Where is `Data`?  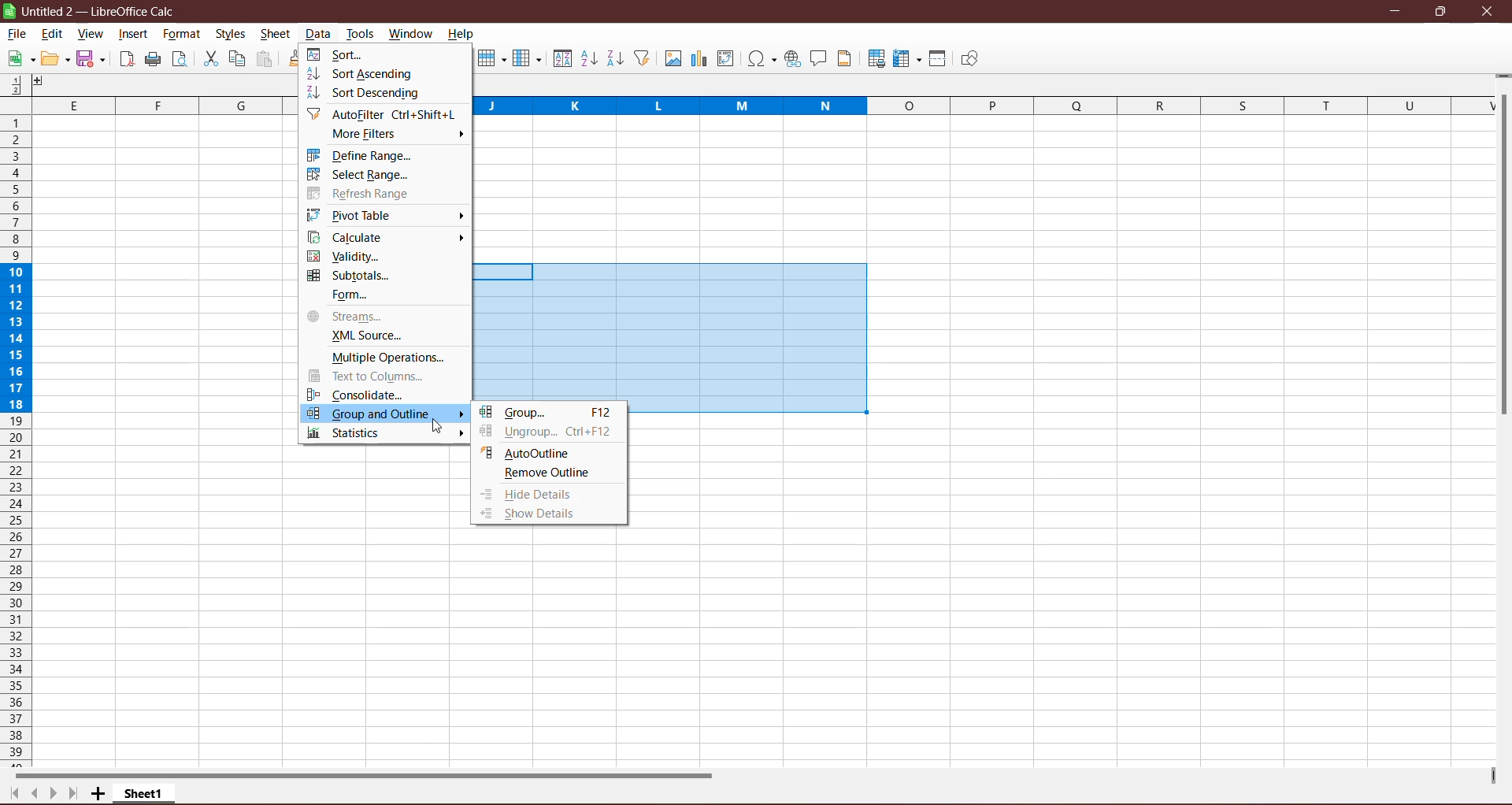 Data is located at coordinates (318, 34).